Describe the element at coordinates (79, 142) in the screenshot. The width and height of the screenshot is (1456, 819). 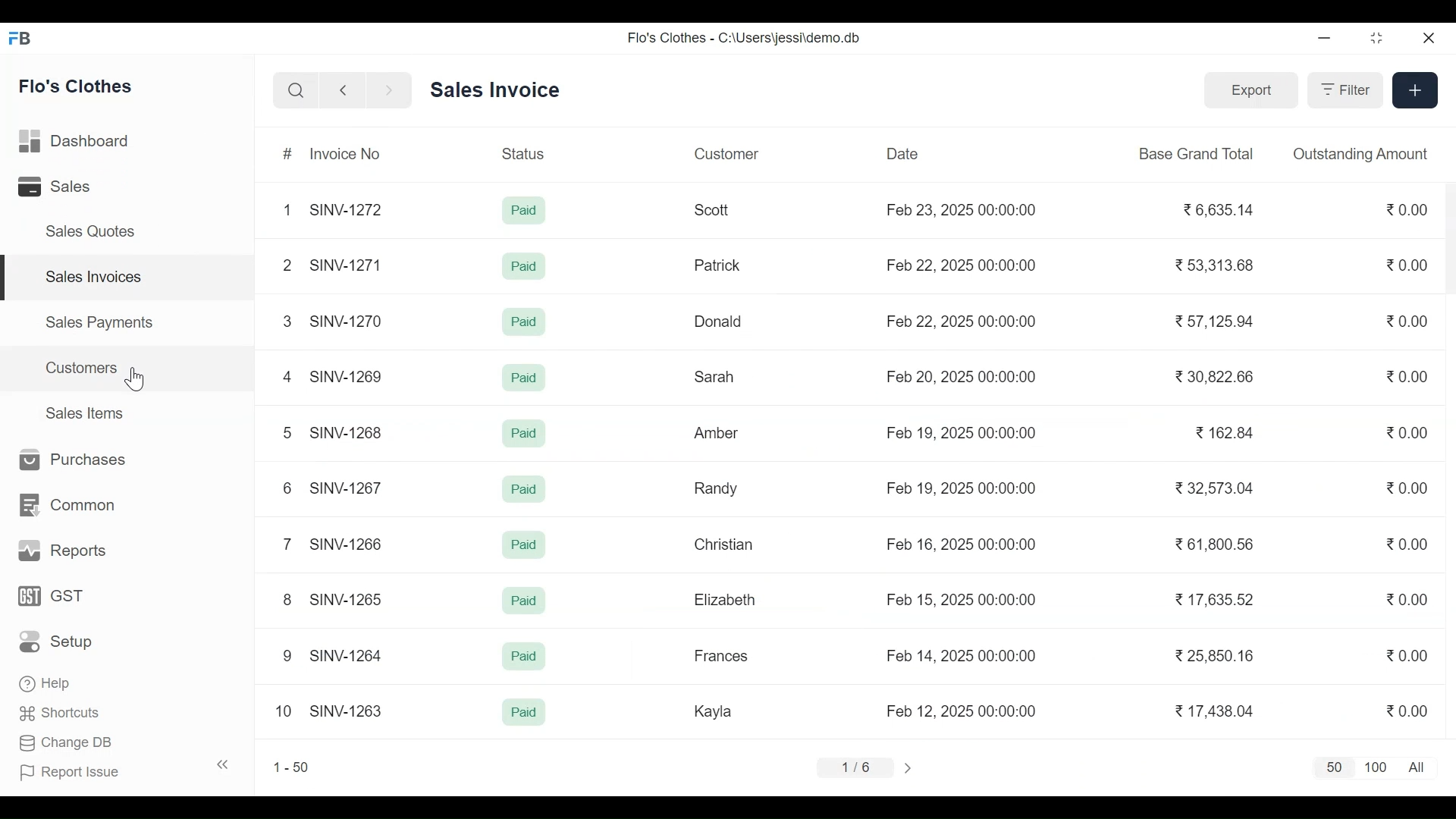
I see `Dashboard` at that location.